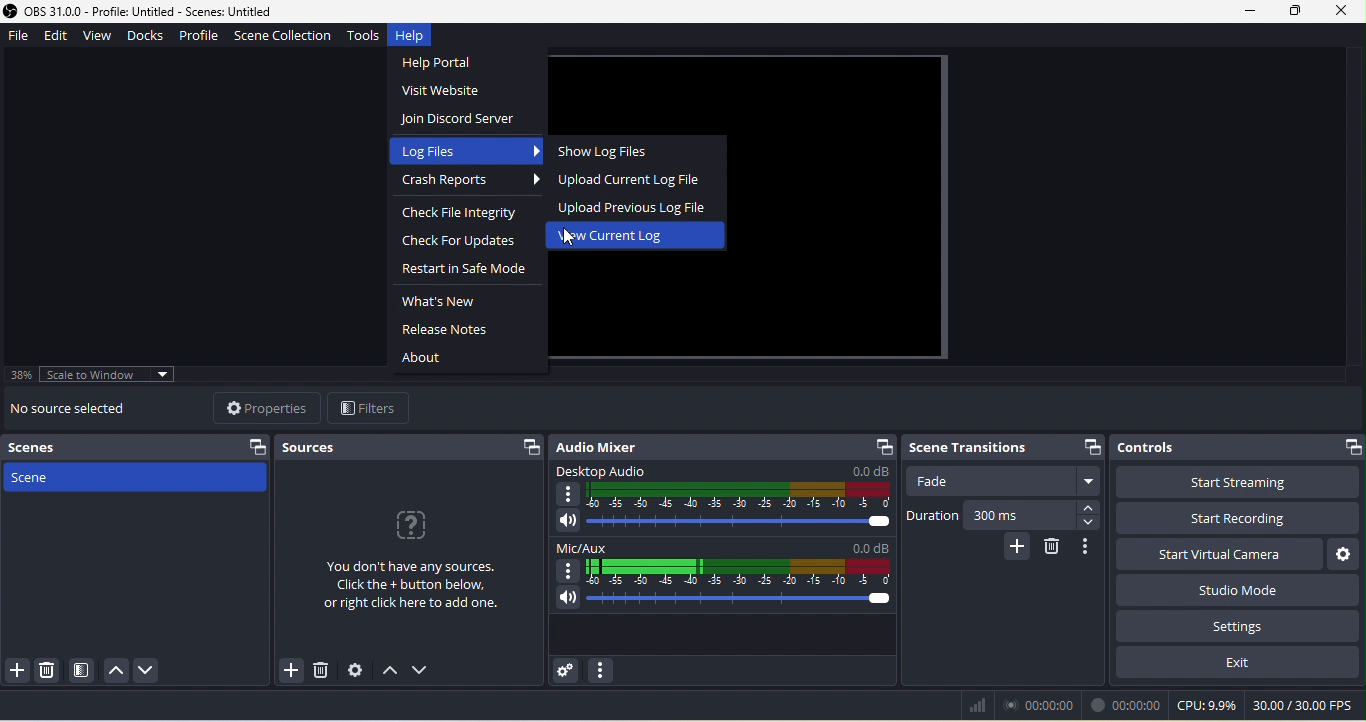 This screenshot has width=1366, height=722. I want to click on show log files, so click(610, 151).